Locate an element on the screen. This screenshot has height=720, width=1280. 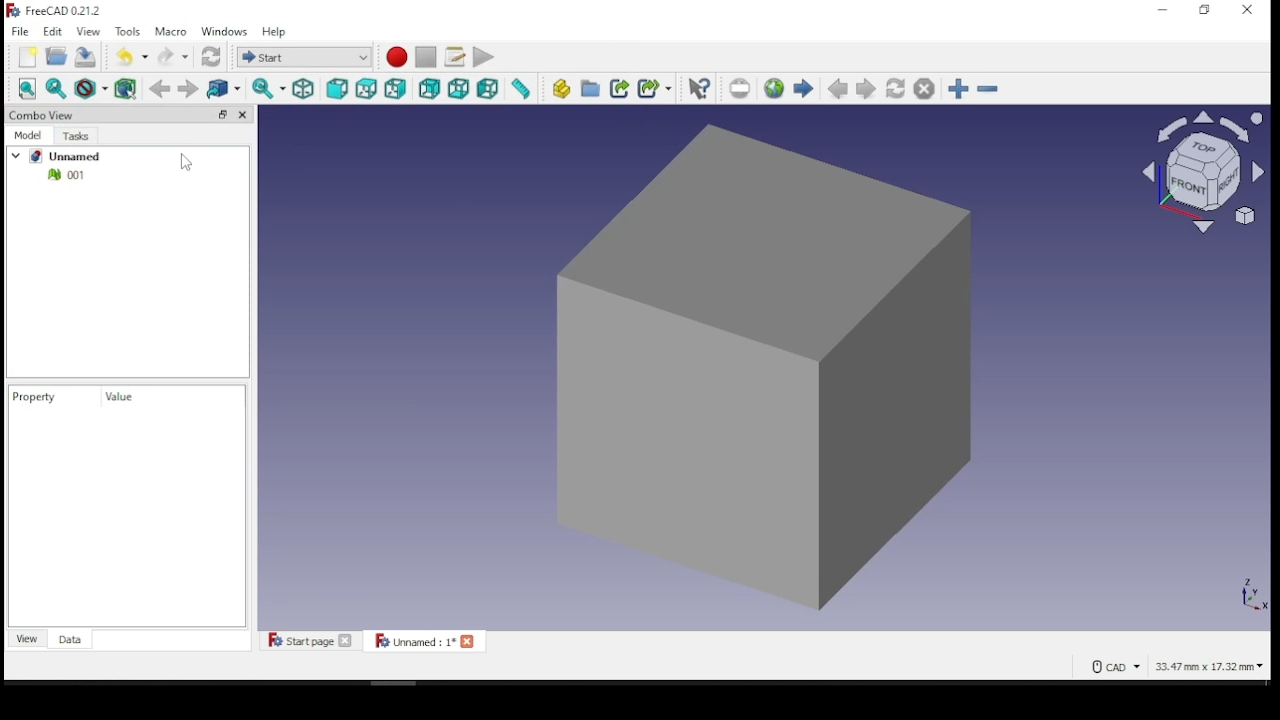
zoom in is located at coordinates (958, 88).